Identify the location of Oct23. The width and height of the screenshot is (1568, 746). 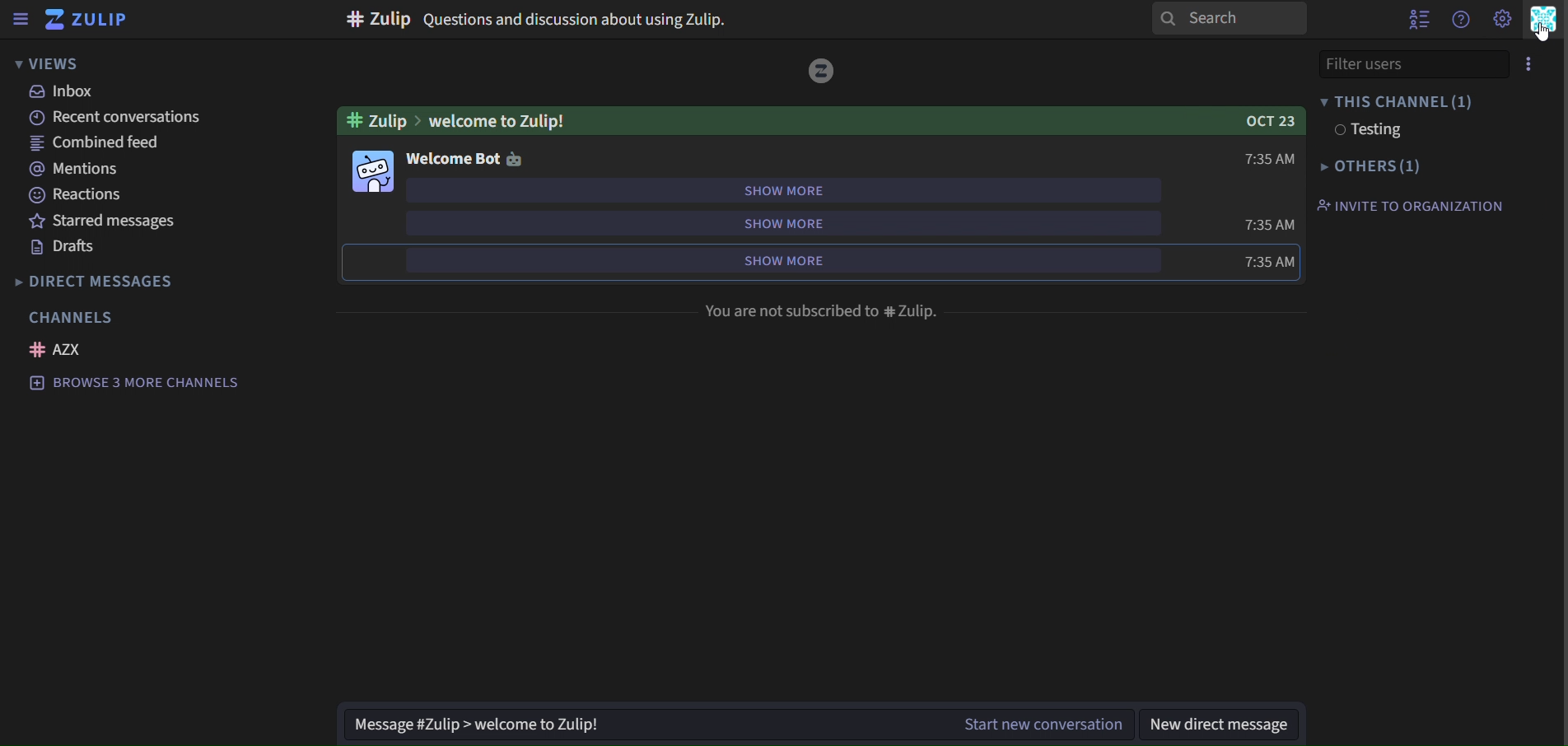
(1258, 122).